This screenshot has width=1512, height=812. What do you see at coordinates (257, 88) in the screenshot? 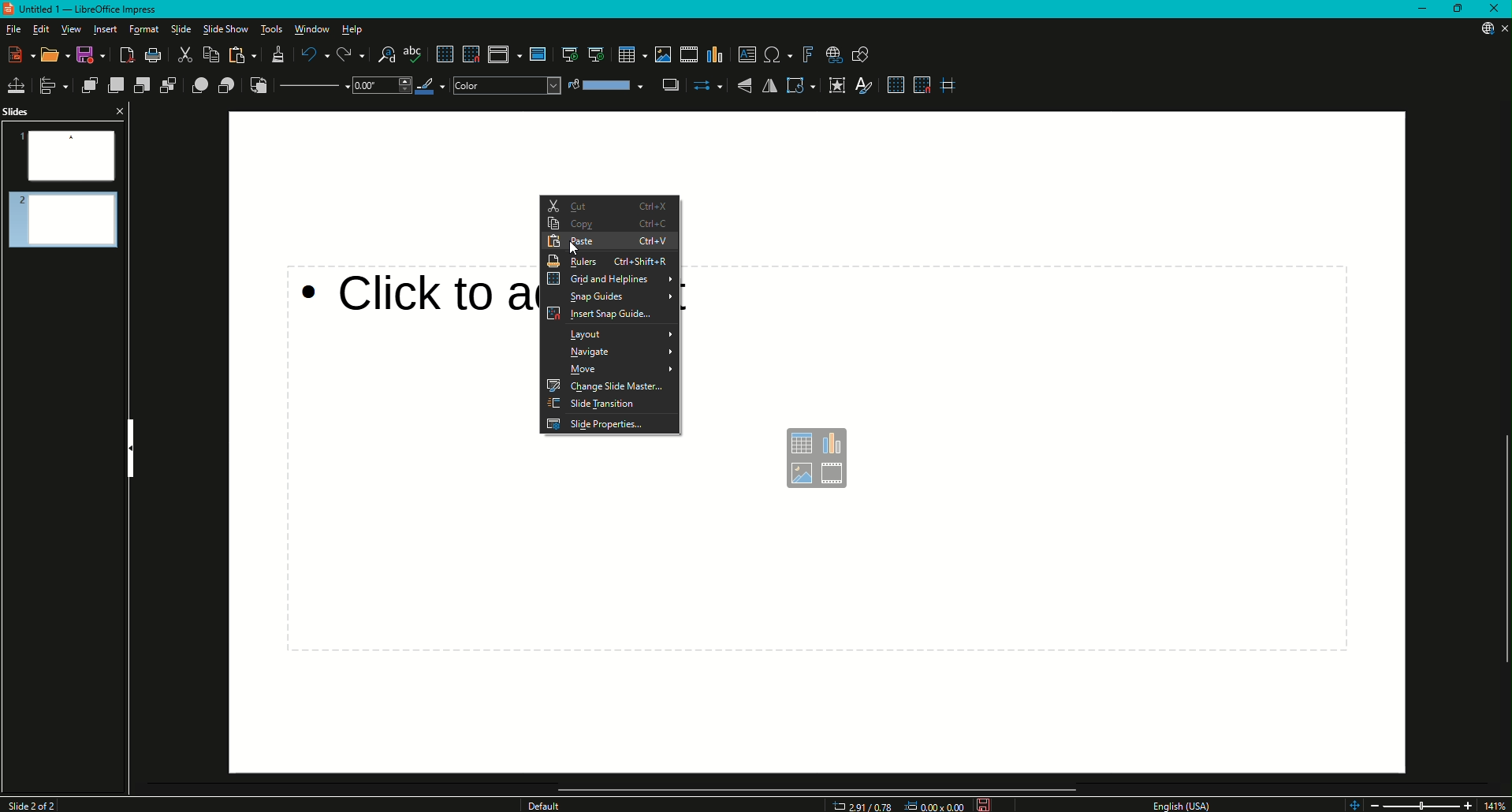
I see `Reverse` at bounding box center [257, 88].